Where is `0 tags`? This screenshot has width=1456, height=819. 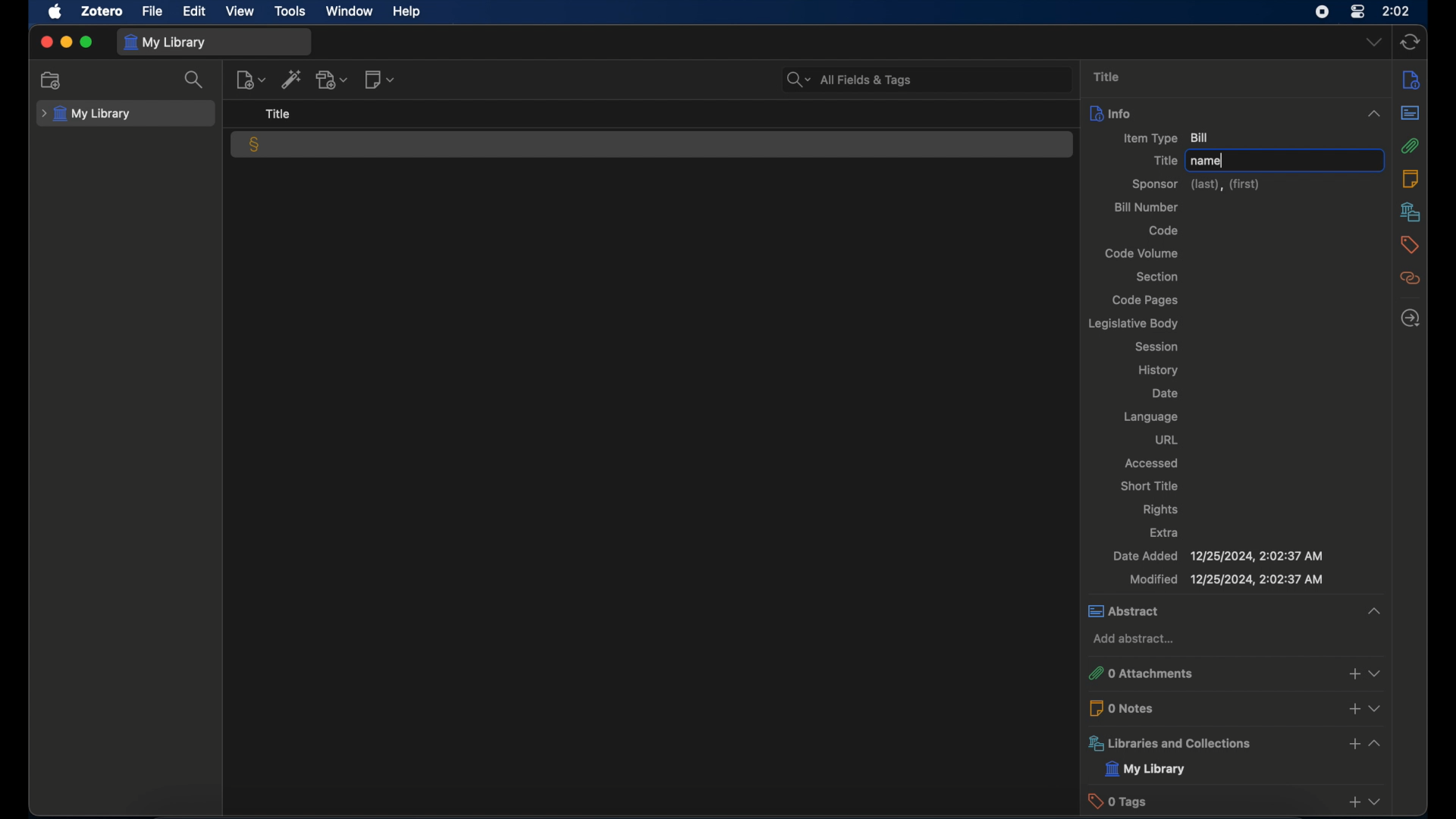 0 tags is located at coordinates (1234, 801).